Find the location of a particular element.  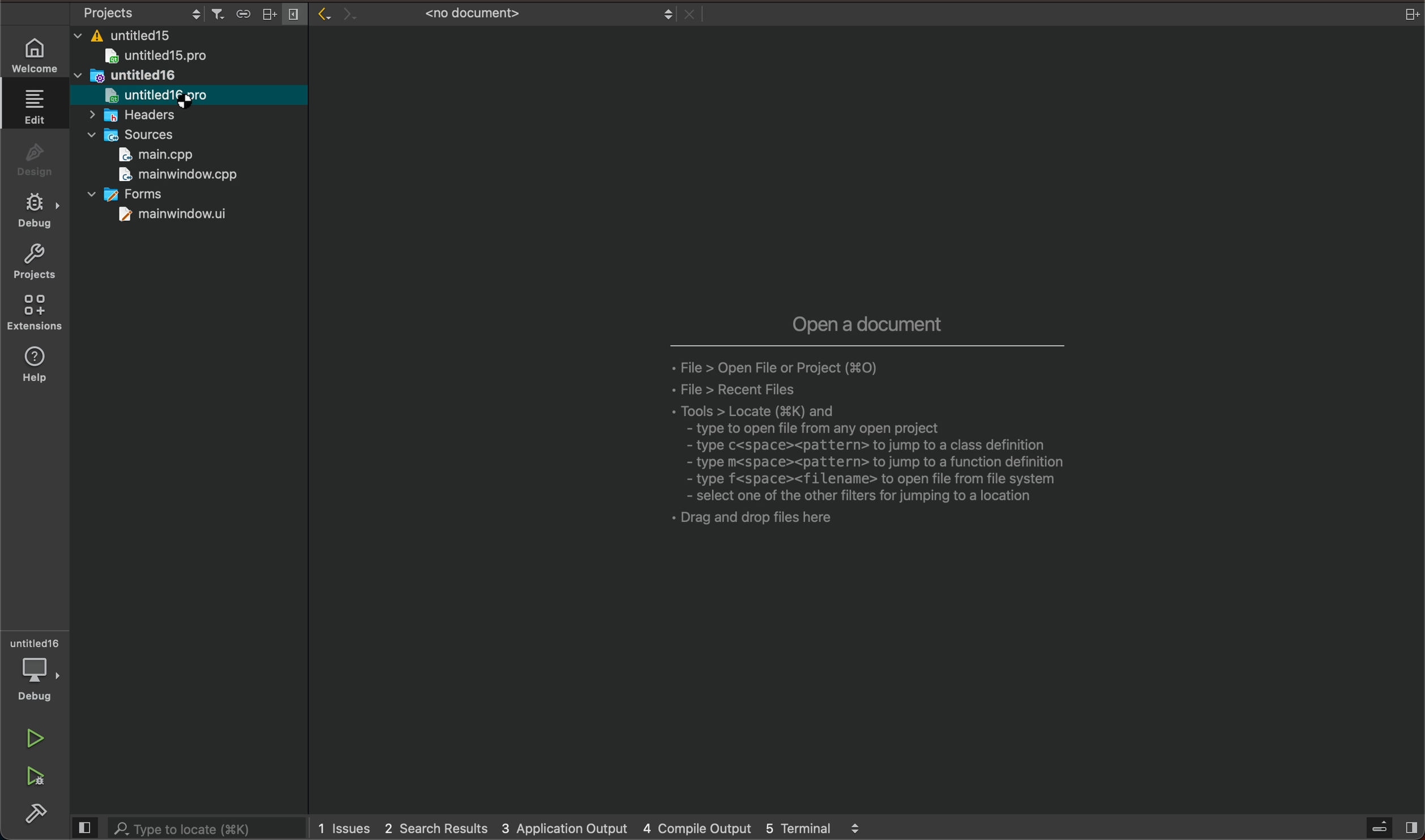

untitled15pro is located at coordinates (164, 57).